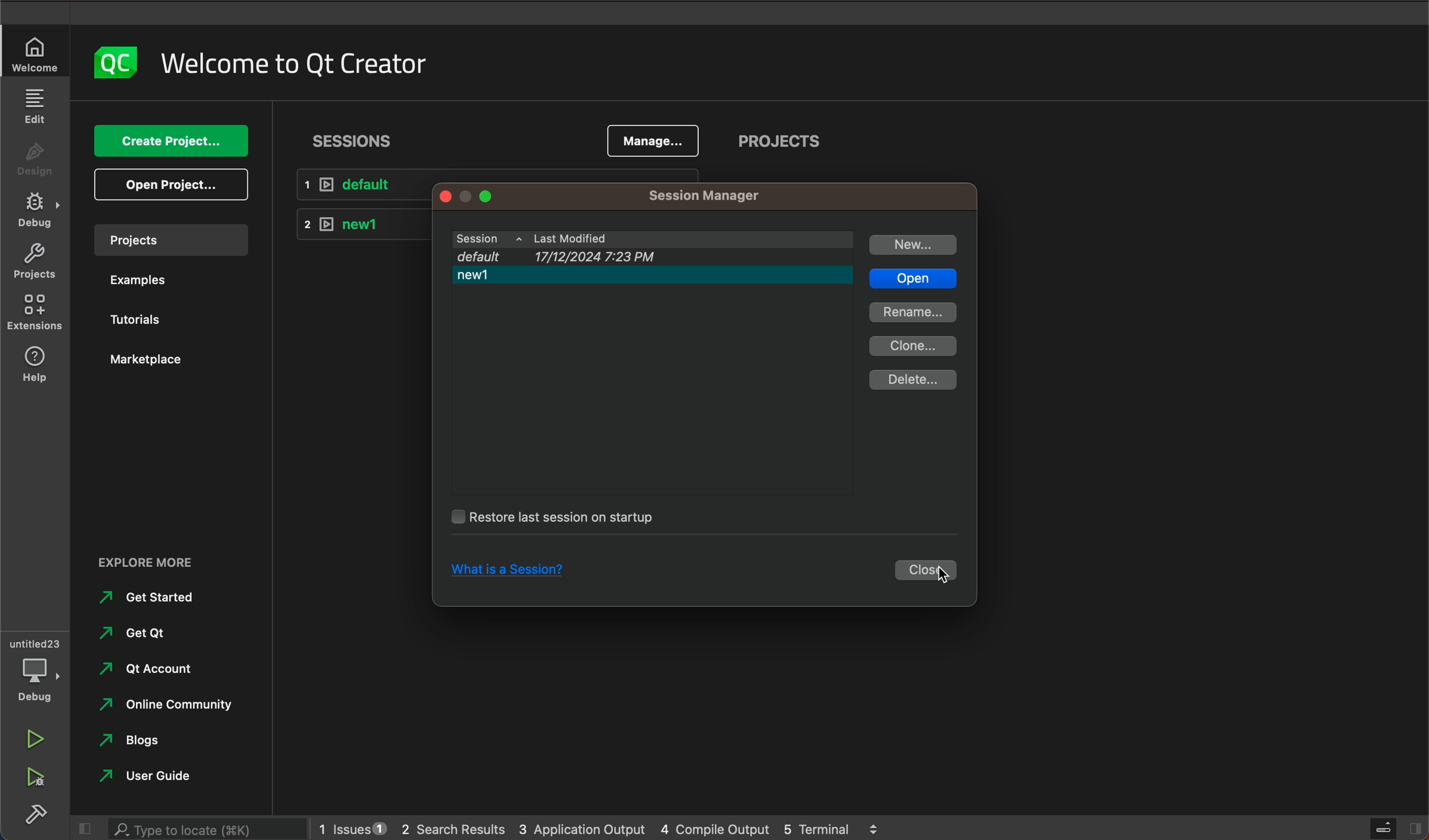  What do you see at coordinates (912, 312) in the screenshot?
I see `rename` at bounding box center [912, 312].